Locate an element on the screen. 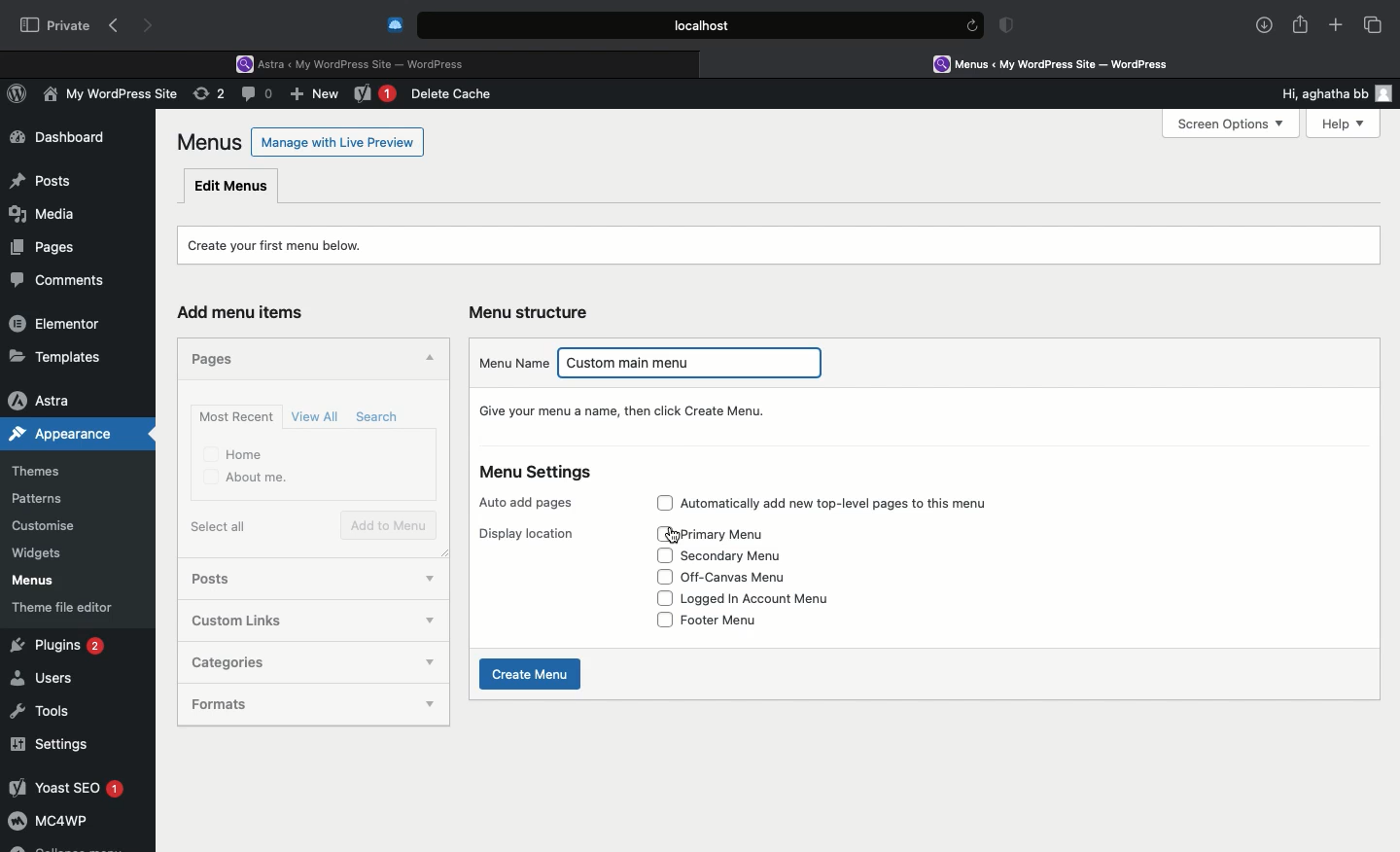 Image resolution: width=1400 pixels, height=852 pixels. Menu name is located at coordinates (512, 362).